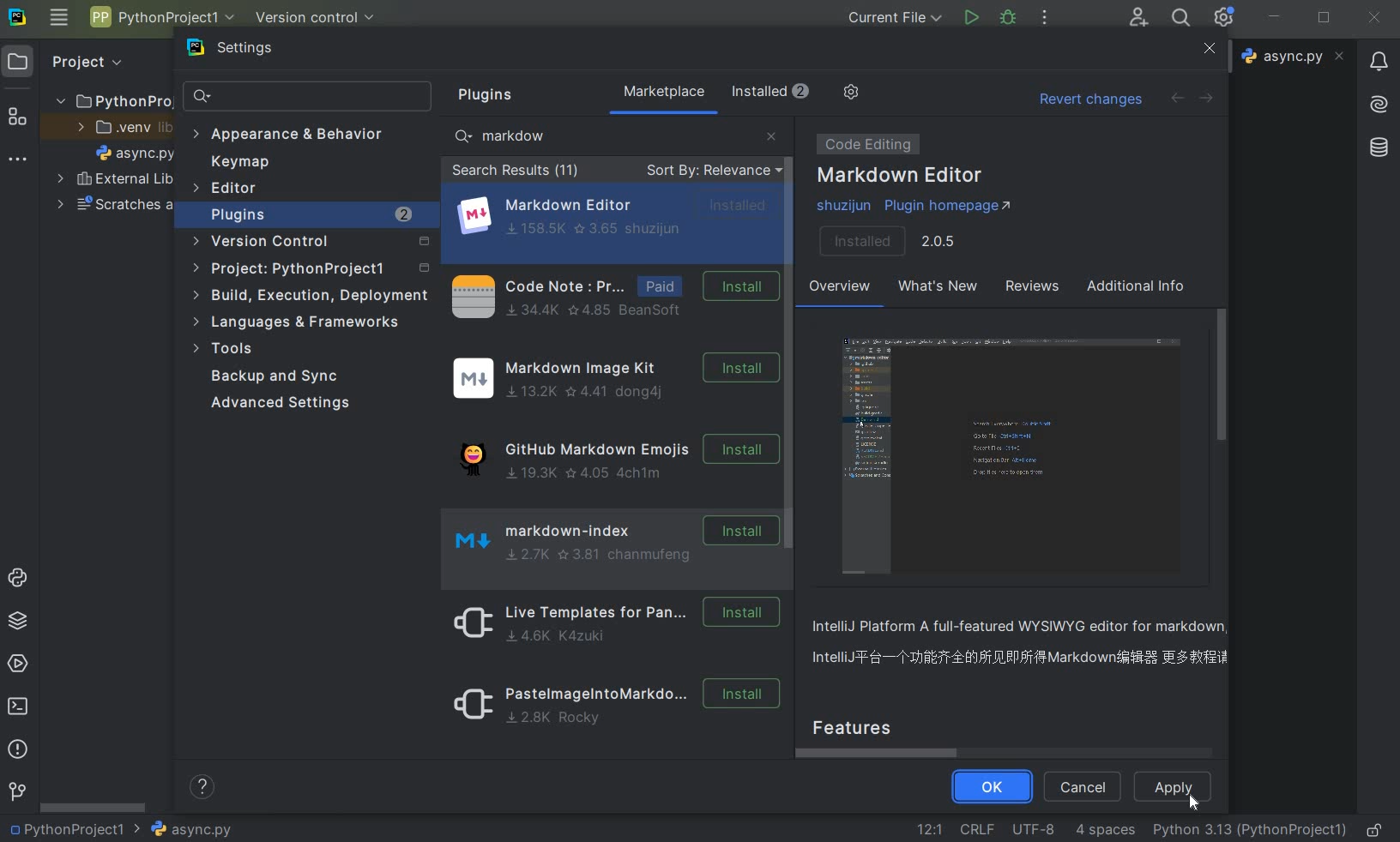 The image size is (1400, 842). I want to click on forward, so click(1211, 98).